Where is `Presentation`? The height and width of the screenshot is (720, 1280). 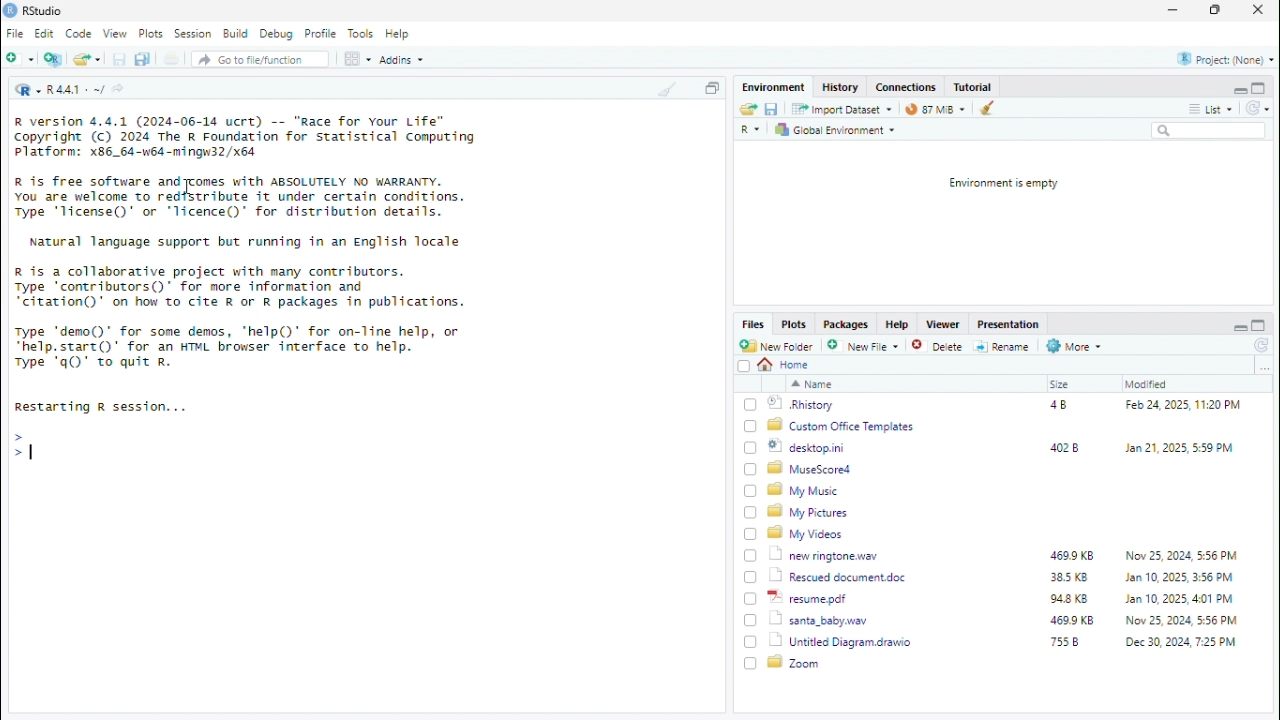
Presentation is located at coordinates (1011, 325).